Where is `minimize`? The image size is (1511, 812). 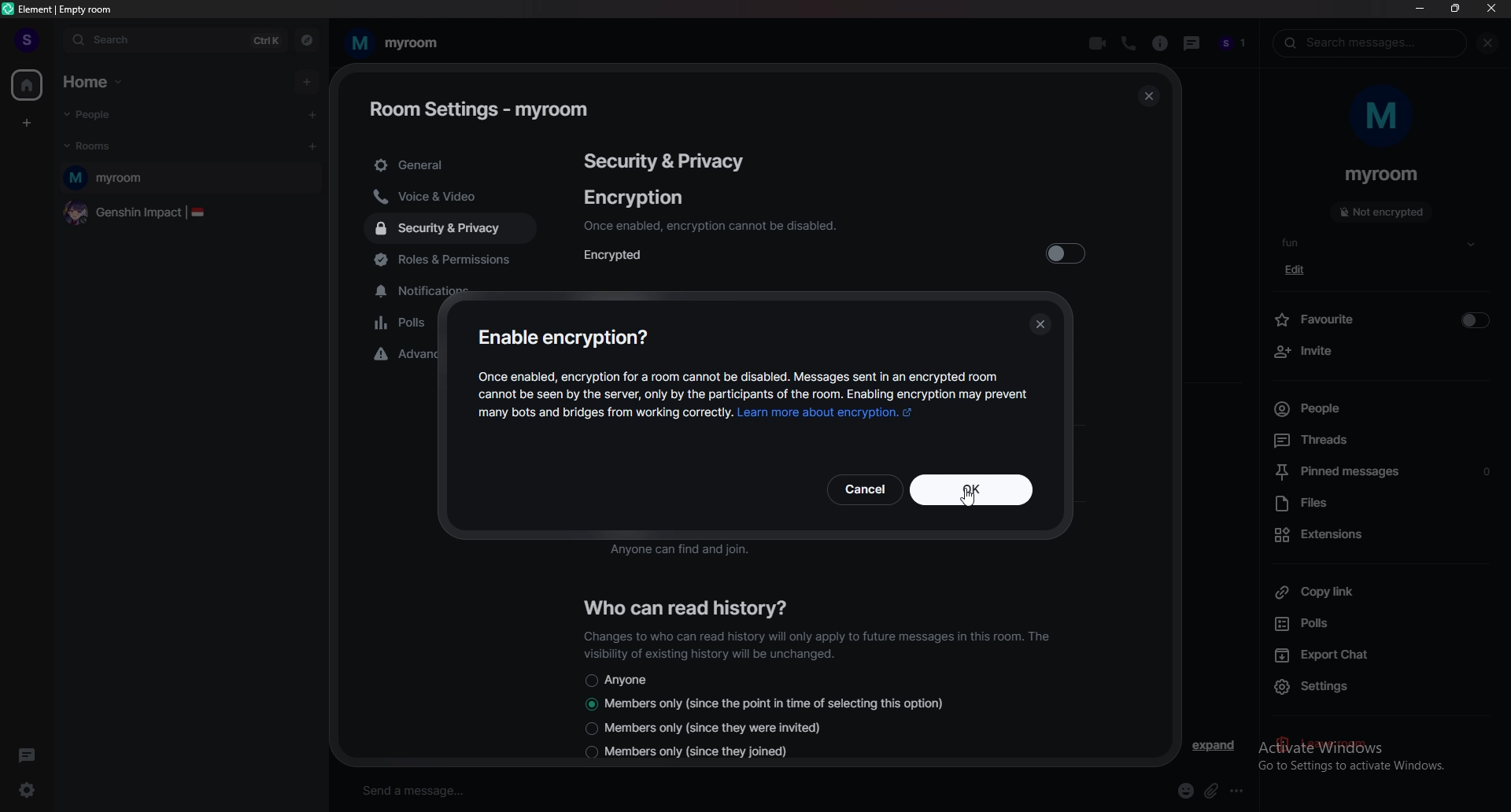 minimize is located at coordinates (1421, 10).